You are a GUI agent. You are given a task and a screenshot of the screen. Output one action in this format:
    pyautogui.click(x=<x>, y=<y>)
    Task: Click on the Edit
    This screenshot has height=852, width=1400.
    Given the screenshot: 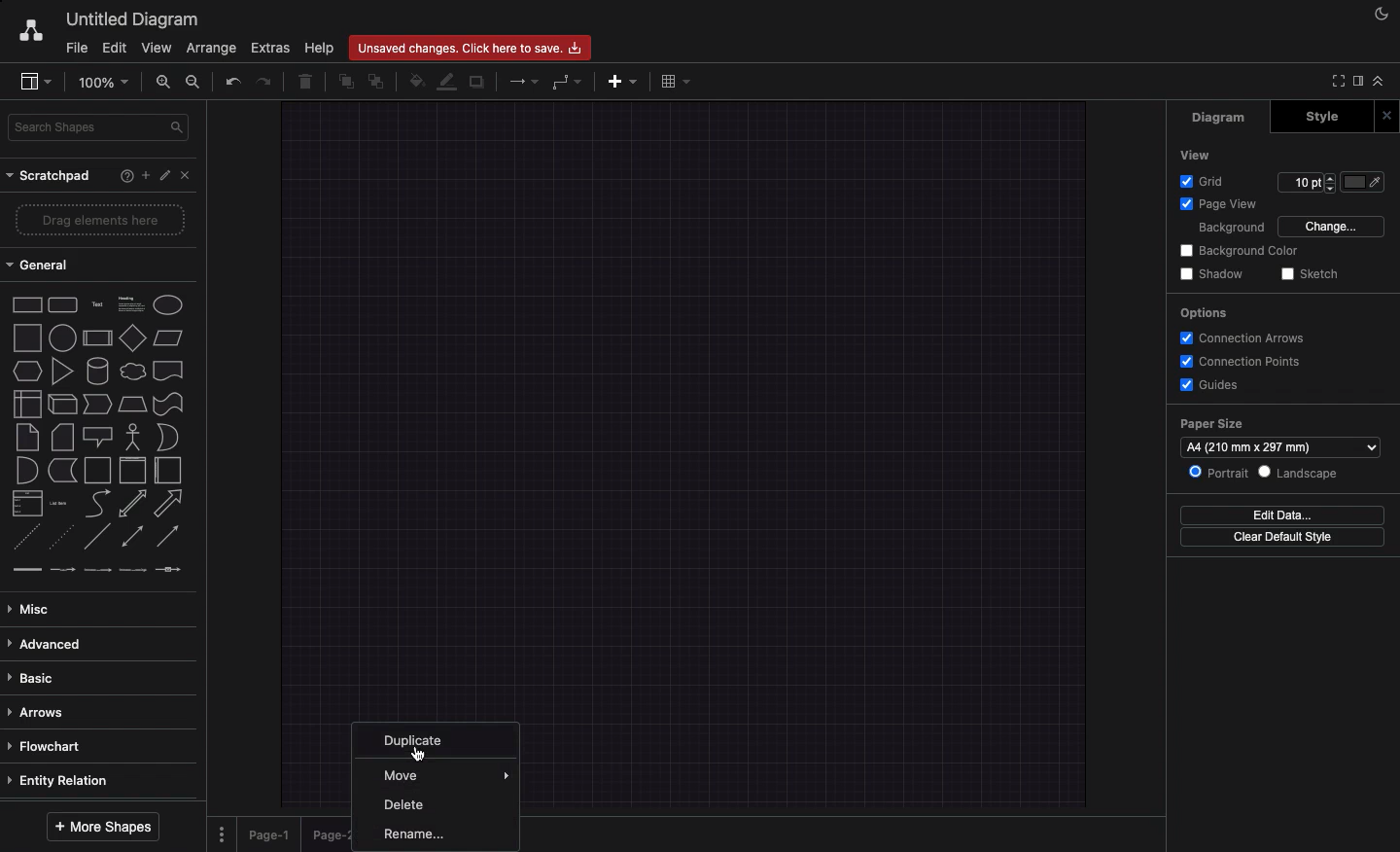 What is the action you would take?
    pyautogui.click(x=114, y=49)
    